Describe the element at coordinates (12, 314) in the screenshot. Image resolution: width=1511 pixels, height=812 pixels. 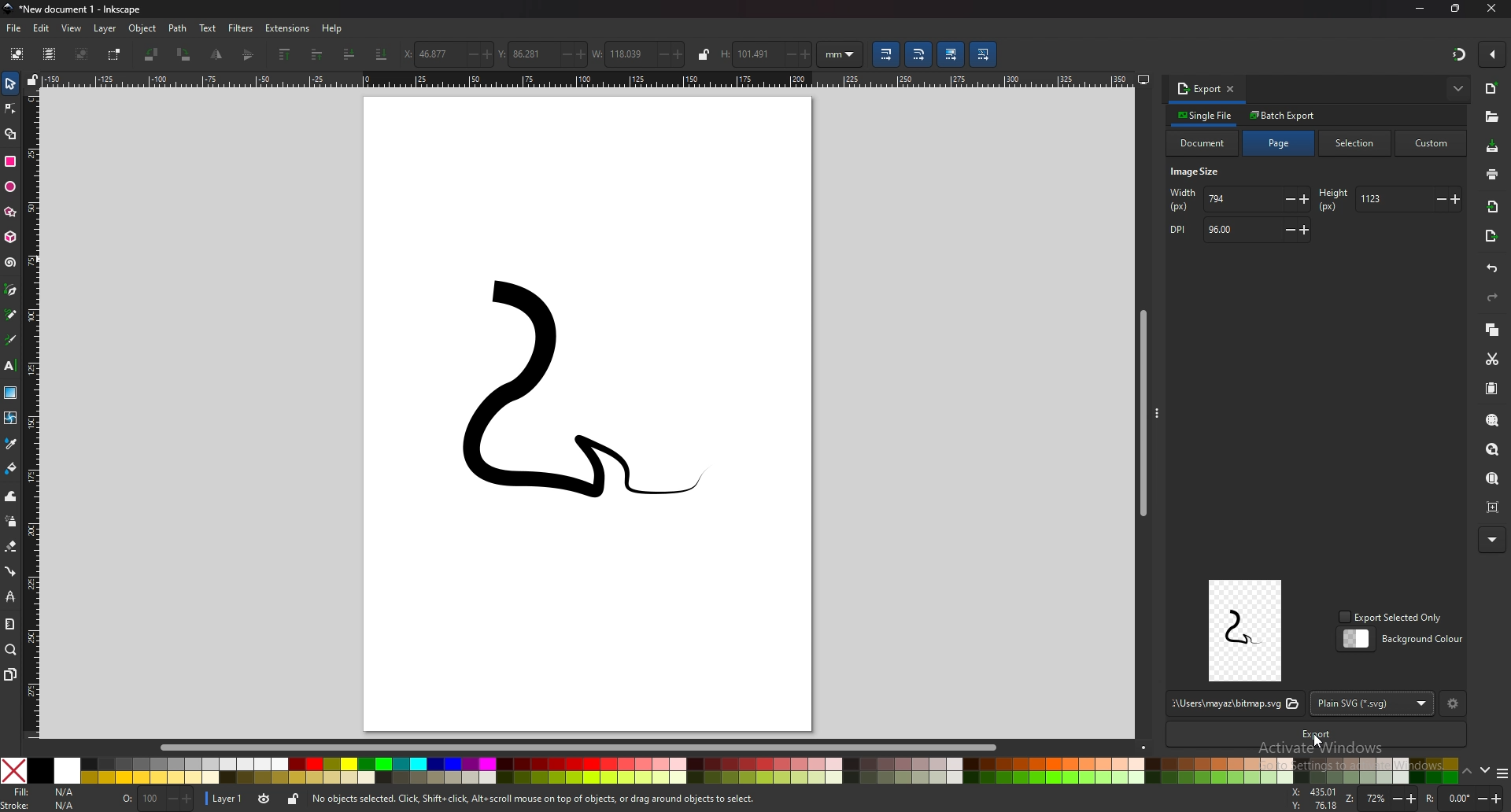
I see `pencil` at that location.